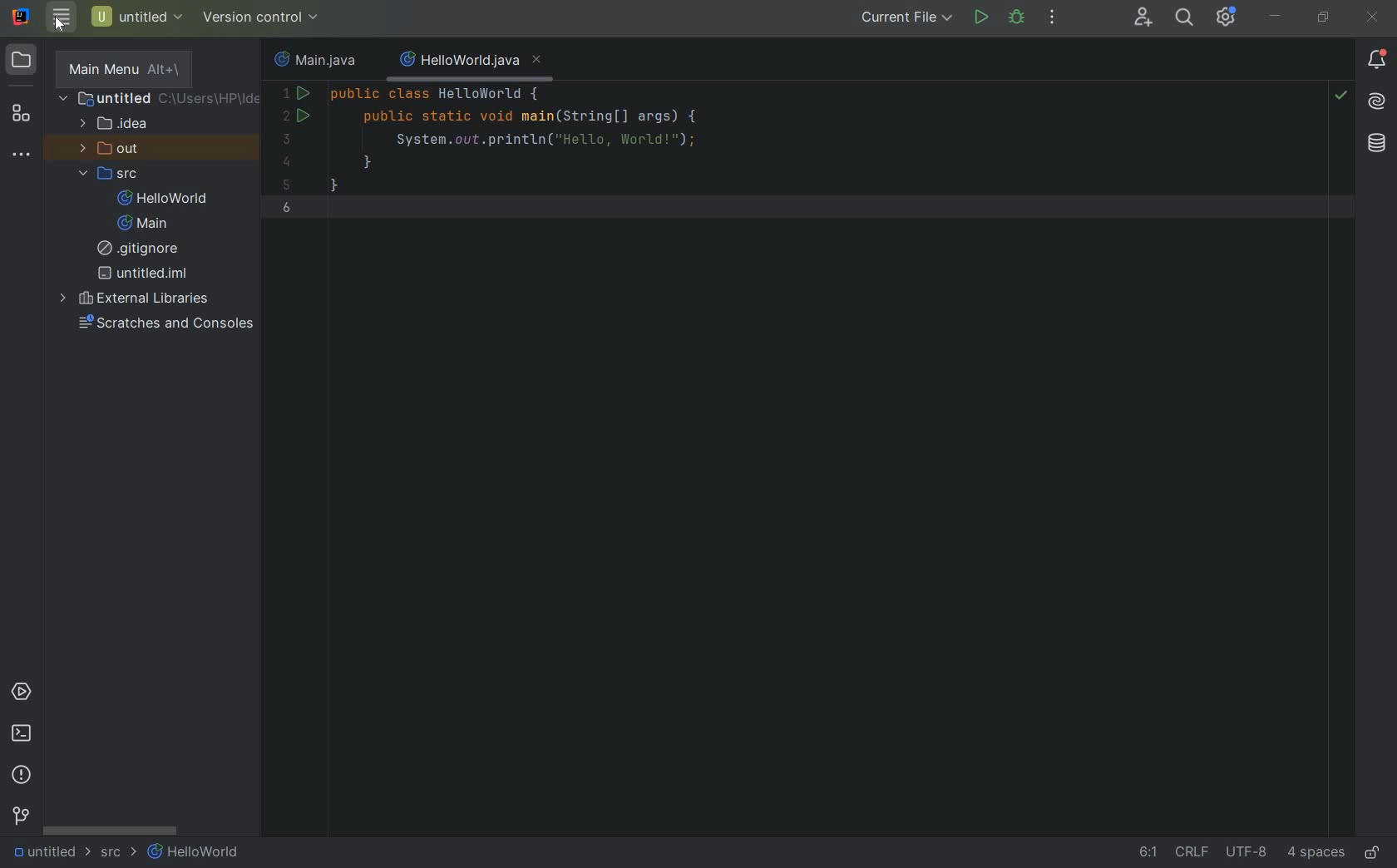  What do you see at coordinates (50, 853) in the screenshot?
I see `UNTITLED` at bounding box center [50, 853].